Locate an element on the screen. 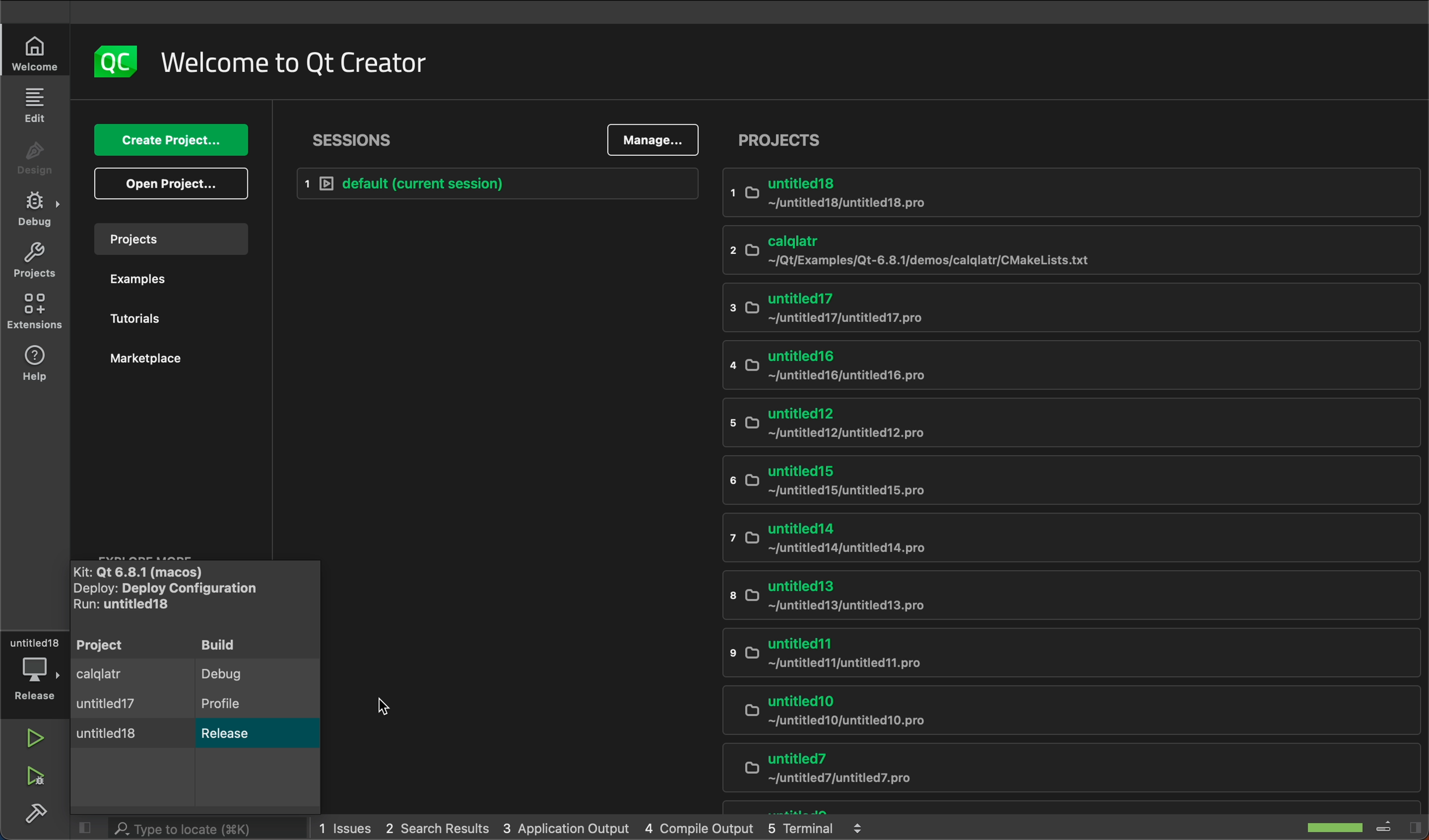 The height and width of the screenshot is (840, 1429). debug is located at coordinates (38, 211).